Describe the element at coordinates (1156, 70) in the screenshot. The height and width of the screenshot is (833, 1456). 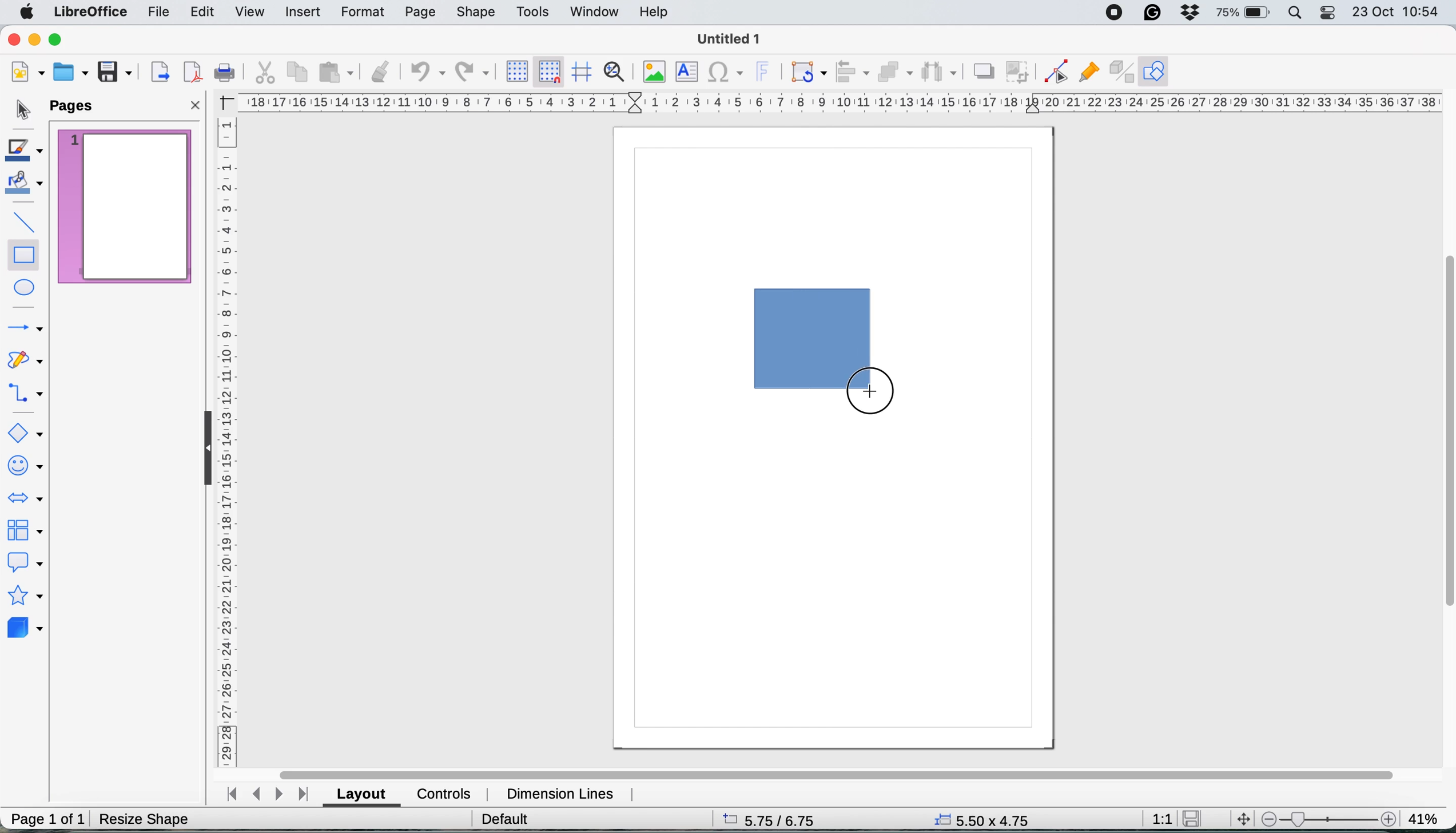
I see `show draw function` at that location.